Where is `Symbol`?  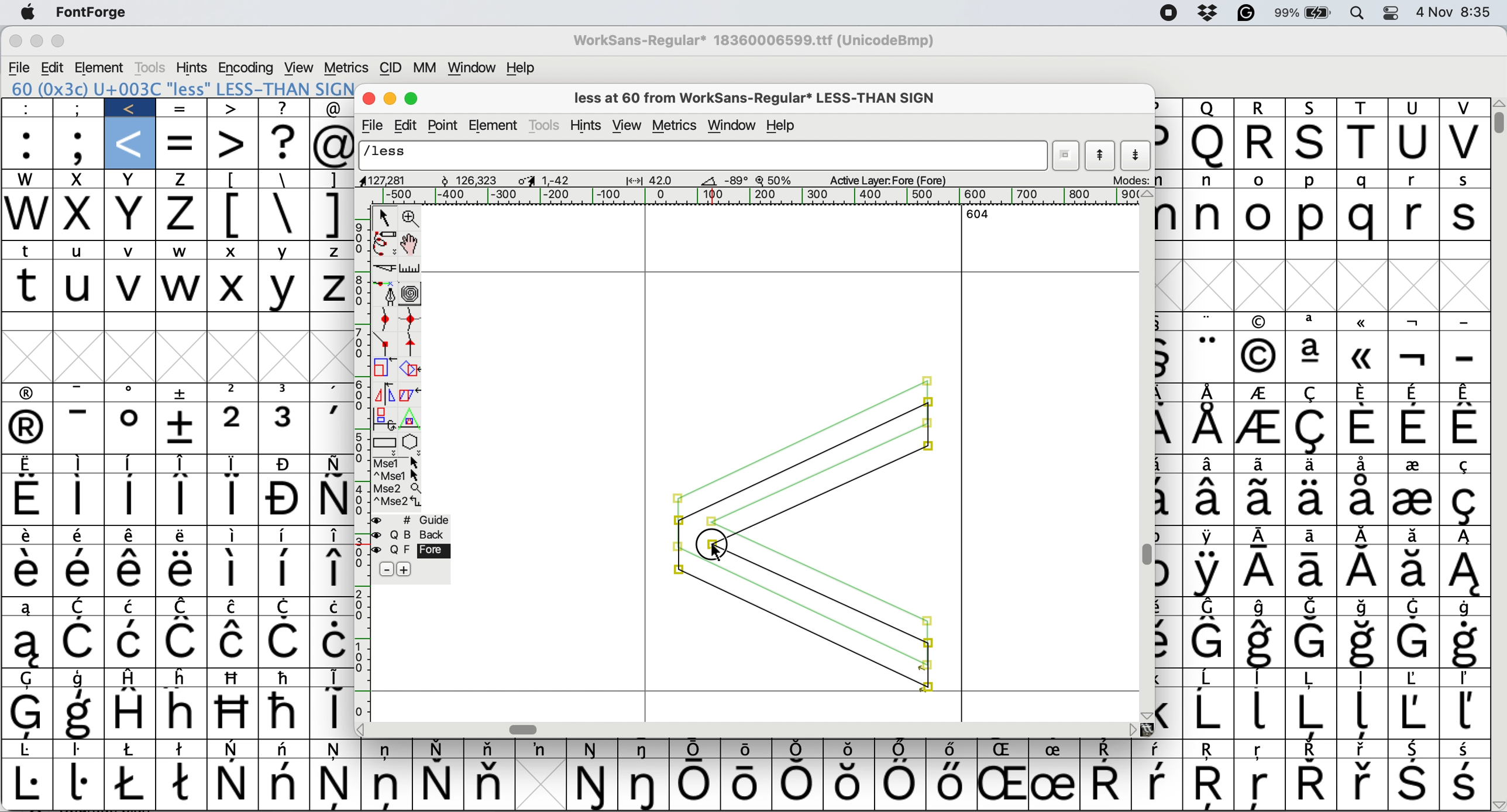
Symbol is located at coordinates (1210, 573).